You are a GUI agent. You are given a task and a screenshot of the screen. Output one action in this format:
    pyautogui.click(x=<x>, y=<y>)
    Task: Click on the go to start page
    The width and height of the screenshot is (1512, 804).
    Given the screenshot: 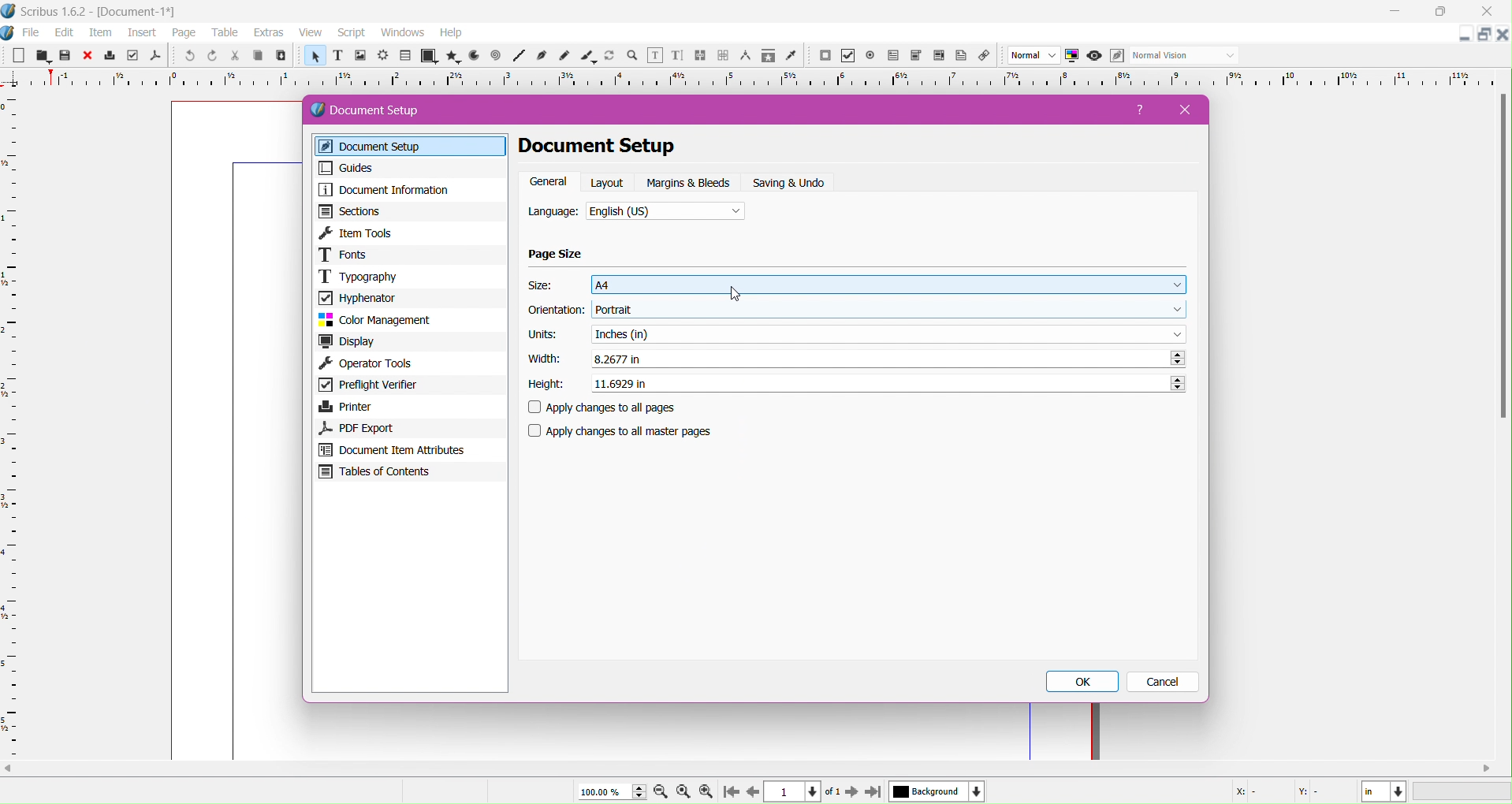 What is the action you would take?
    pyautogui.click(x=729, y=793)
    